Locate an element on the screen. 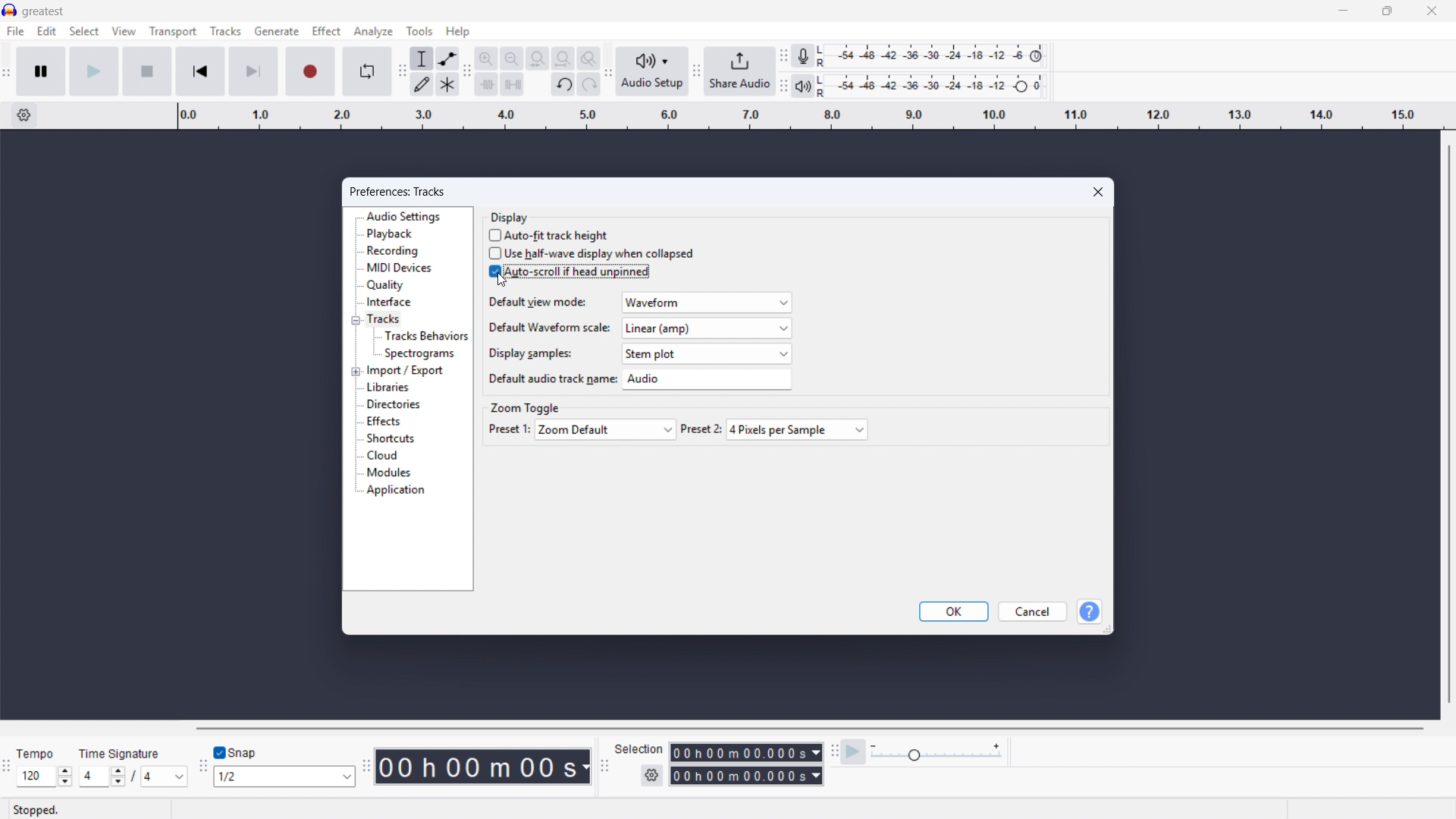  Default view mode  is located at coordinates (536, 301).